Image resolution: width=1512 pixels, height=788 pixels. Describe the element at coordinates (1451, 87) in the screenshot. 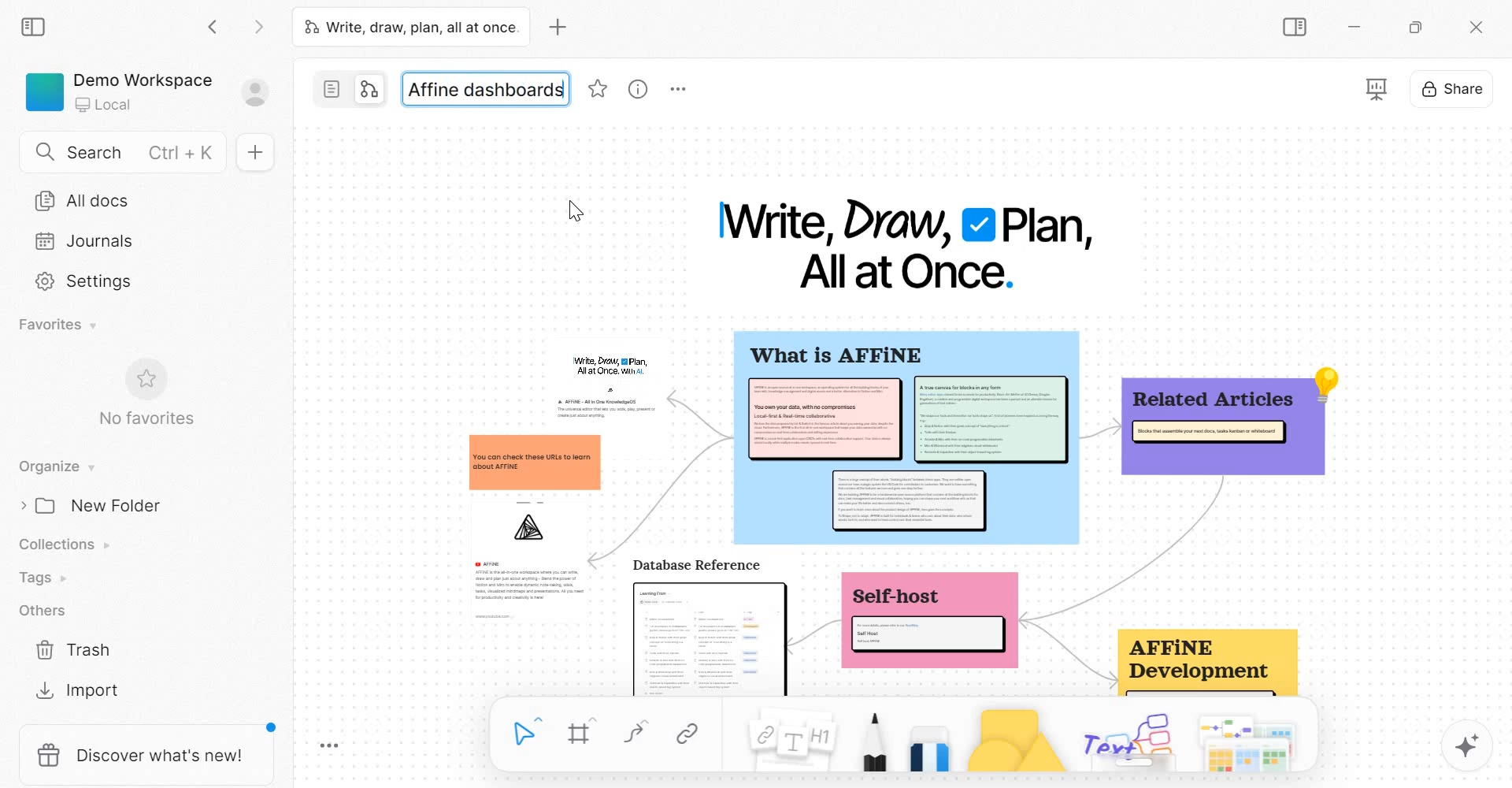

I see `Share` at that location.